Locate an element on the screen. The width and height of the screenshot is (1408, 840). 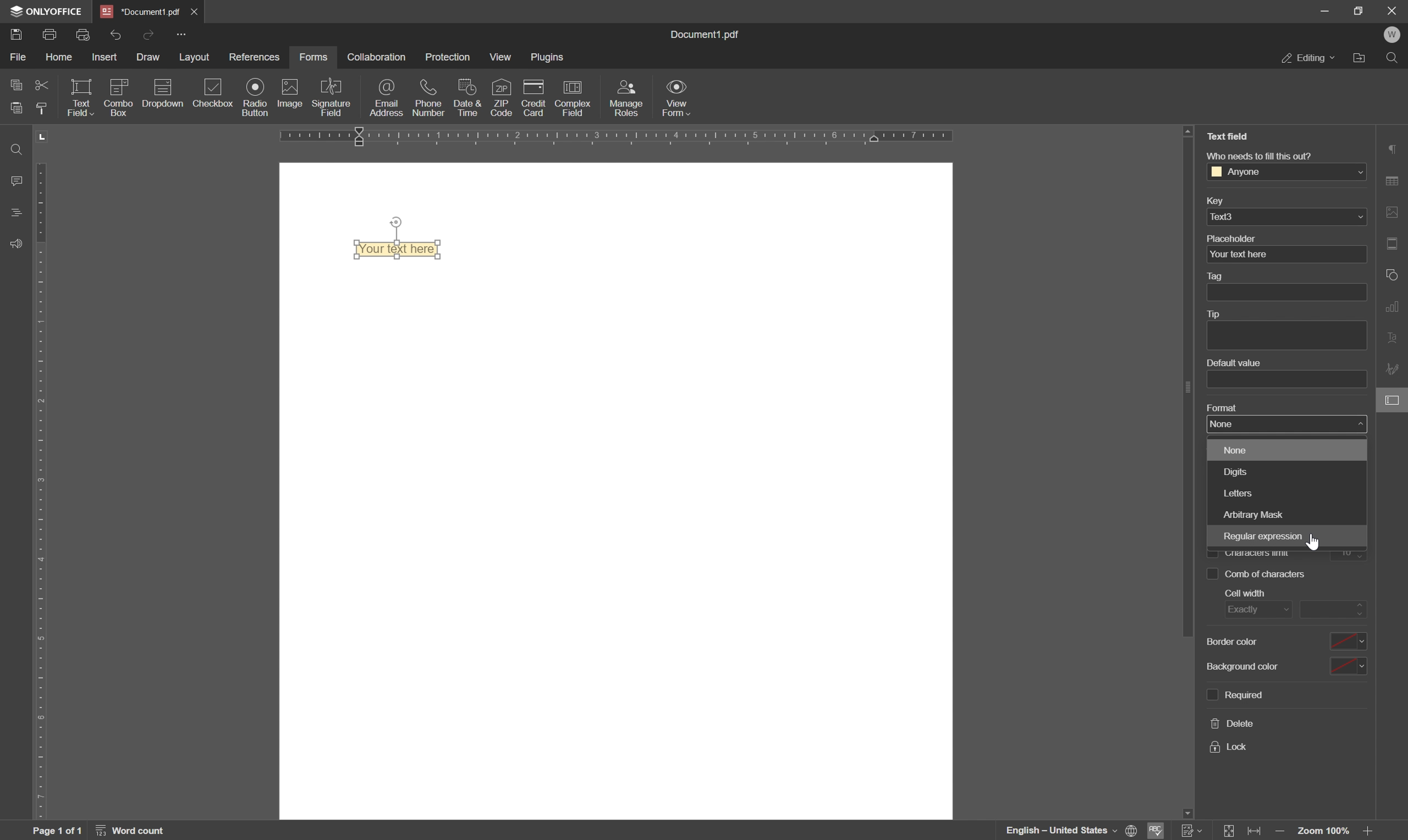
credit card is located at coordinates (534, 98).